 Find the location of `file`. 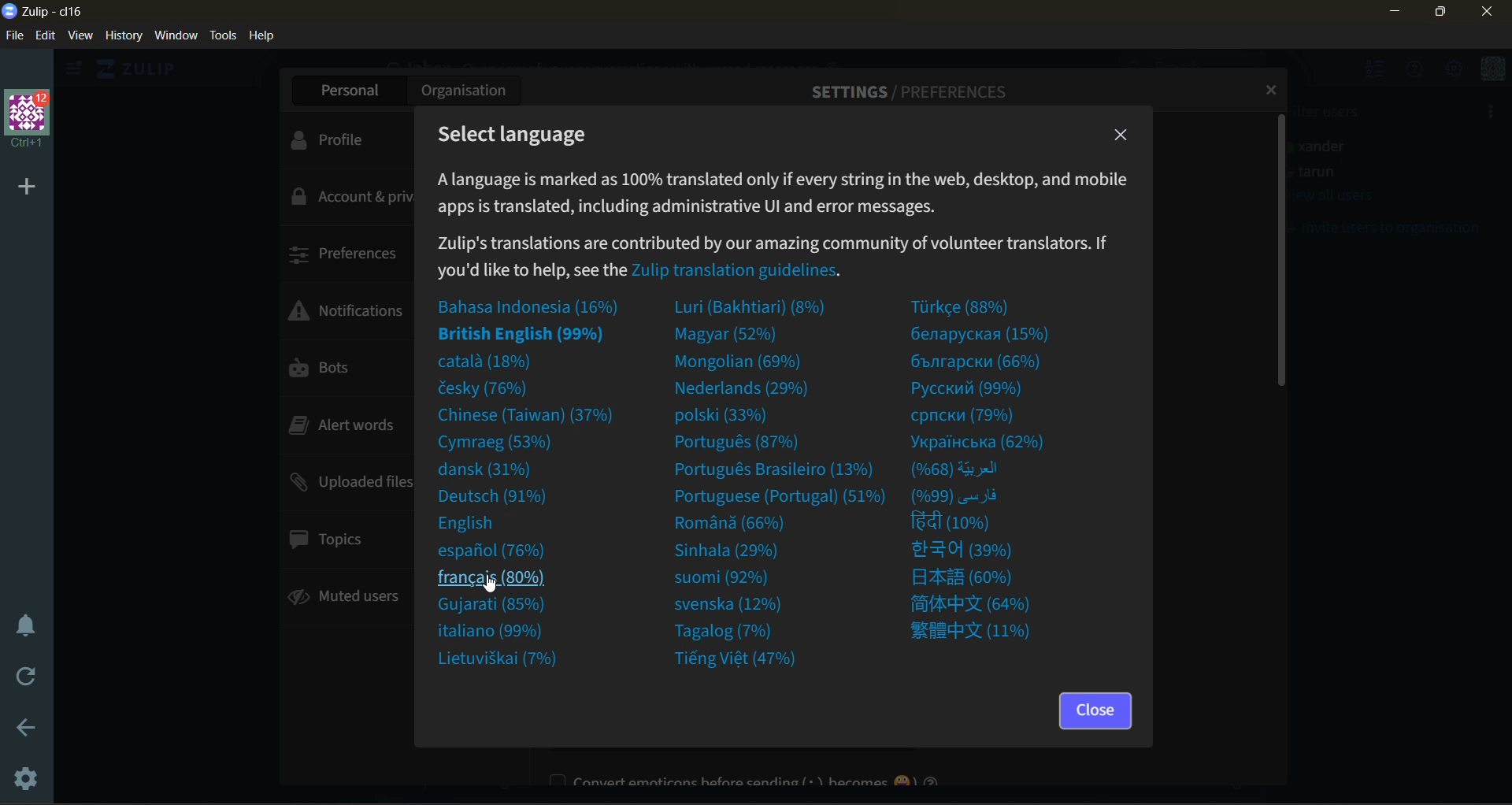

file is located at coordinates (13, 36).